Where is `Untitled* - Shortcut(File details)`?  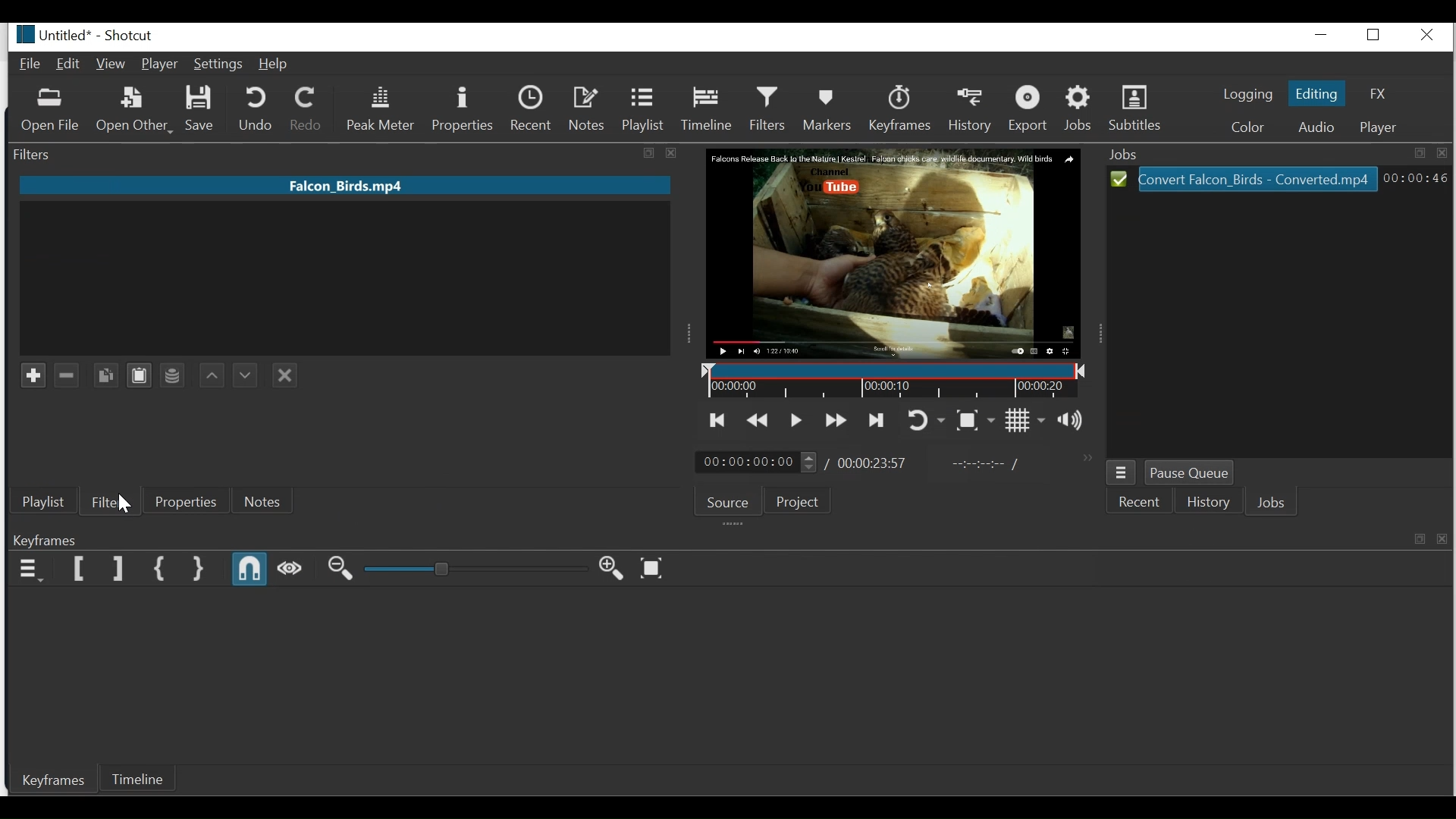 Untitled* - Shortcut(File details) is located at coordinates (89, 35).